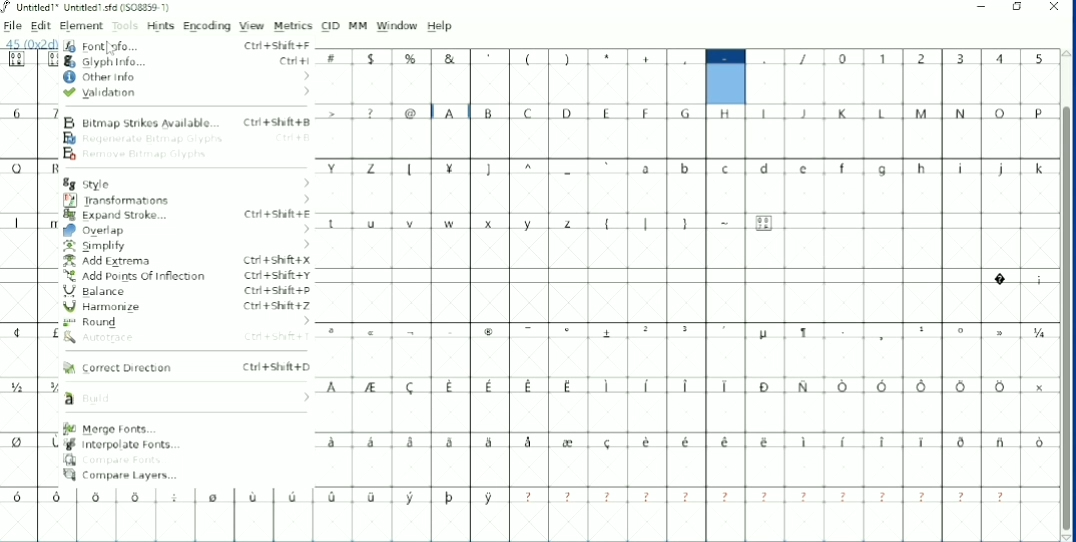  What do you see at coordinates (206, 26) in the screenshot?
I see `Encoding` at bounding box center [206, 26].